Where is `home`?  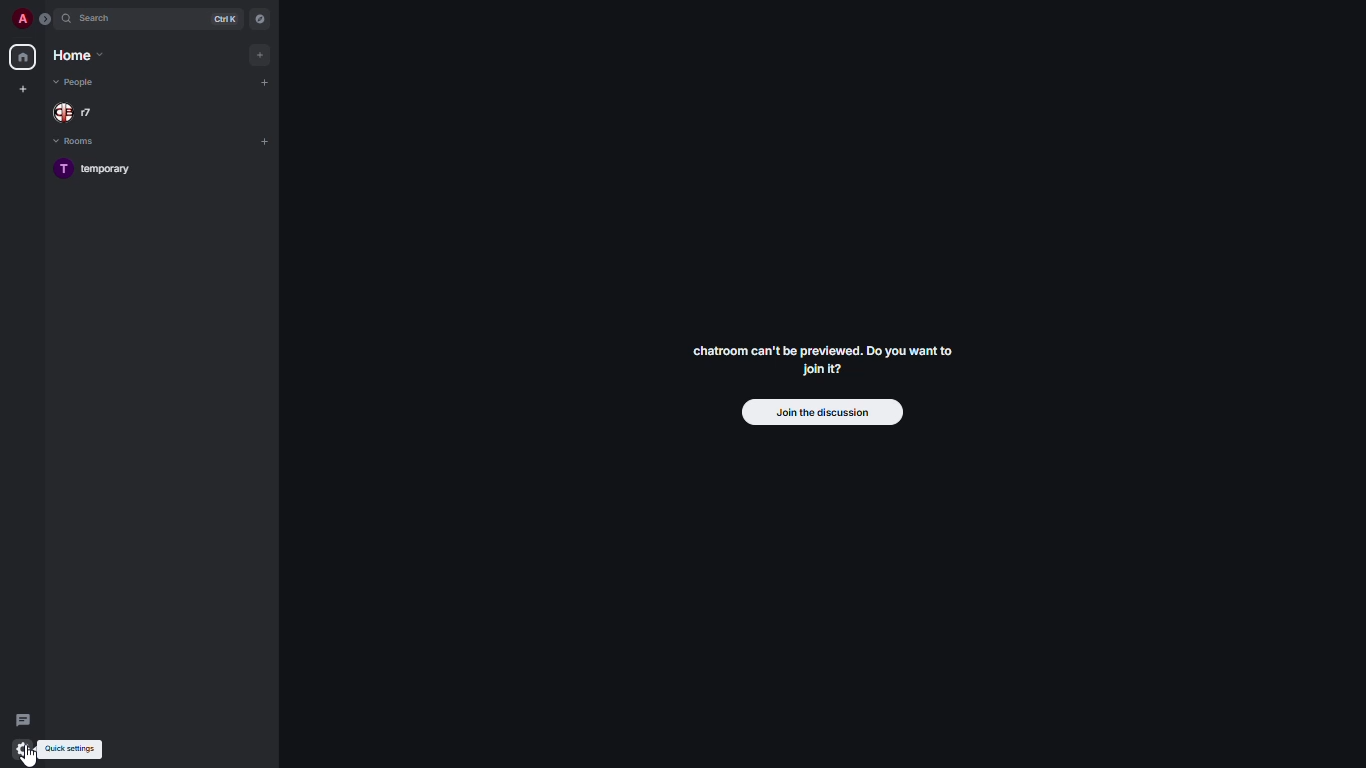 home is located at coordinates (80, 53).